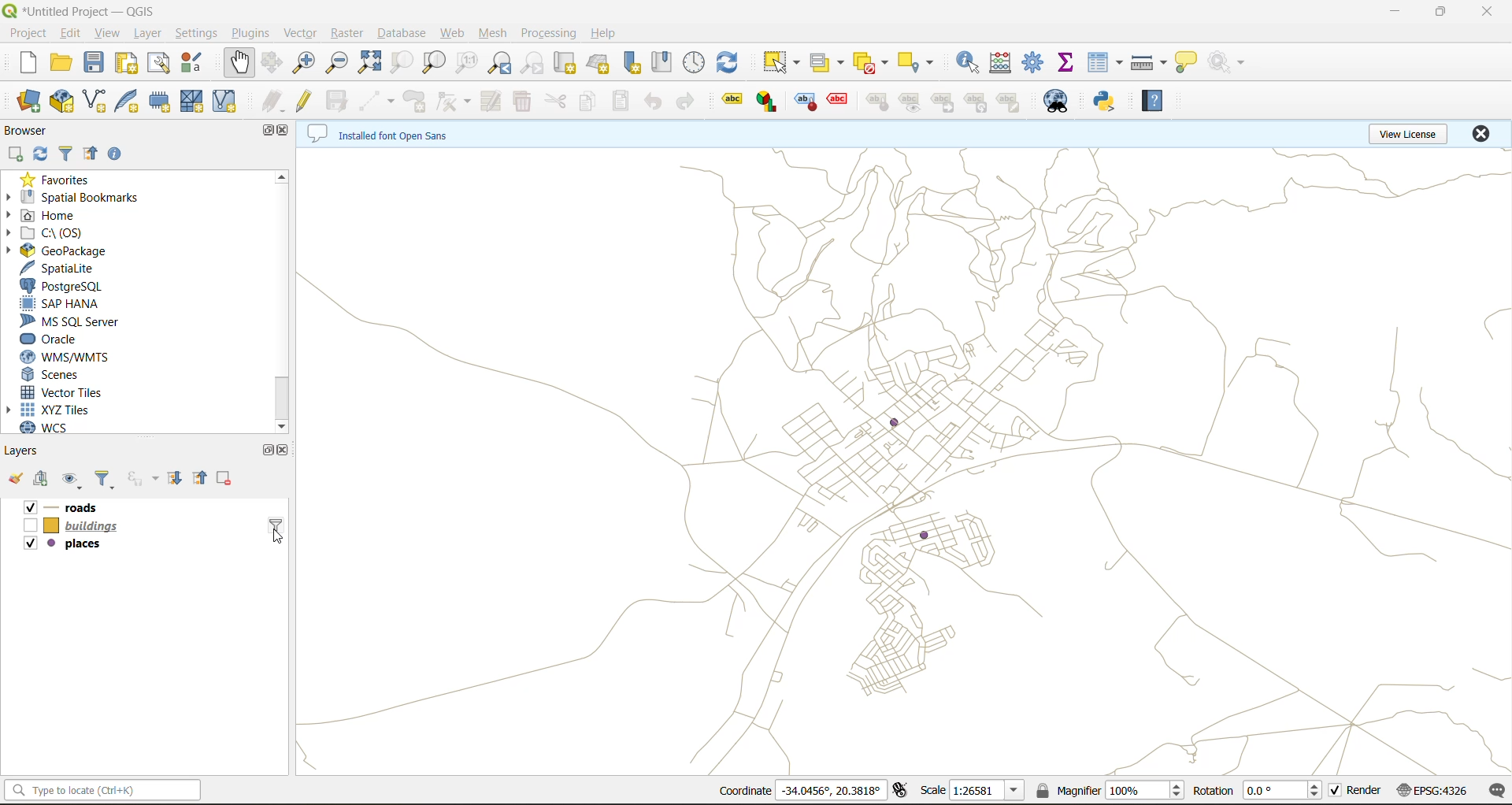  Describe the element at coordinates (143, 480) in the screenshot. I see `filter by expression` at that location.